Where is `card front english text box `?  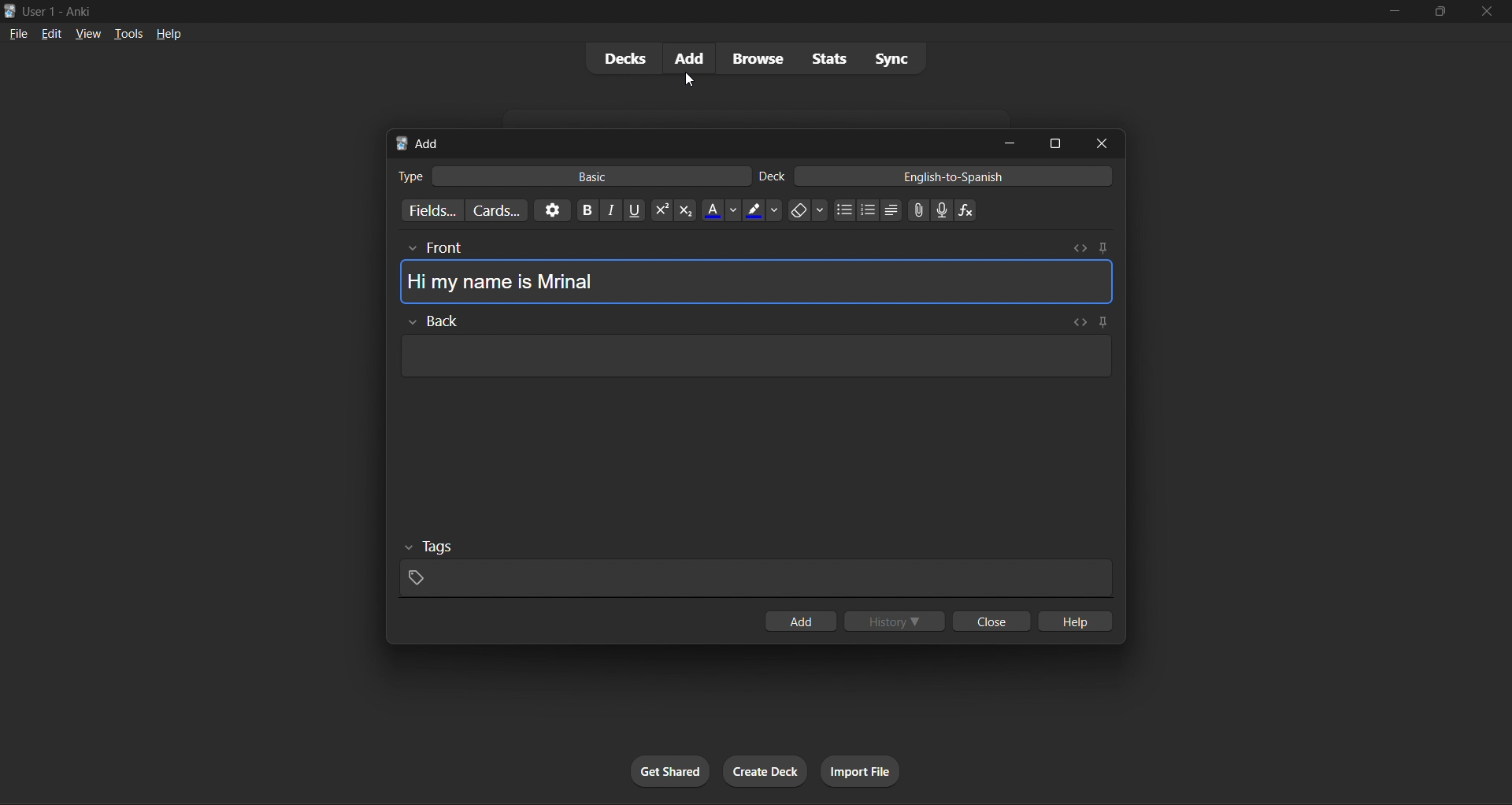 card front english text box  is located at coordinates (754, 273).